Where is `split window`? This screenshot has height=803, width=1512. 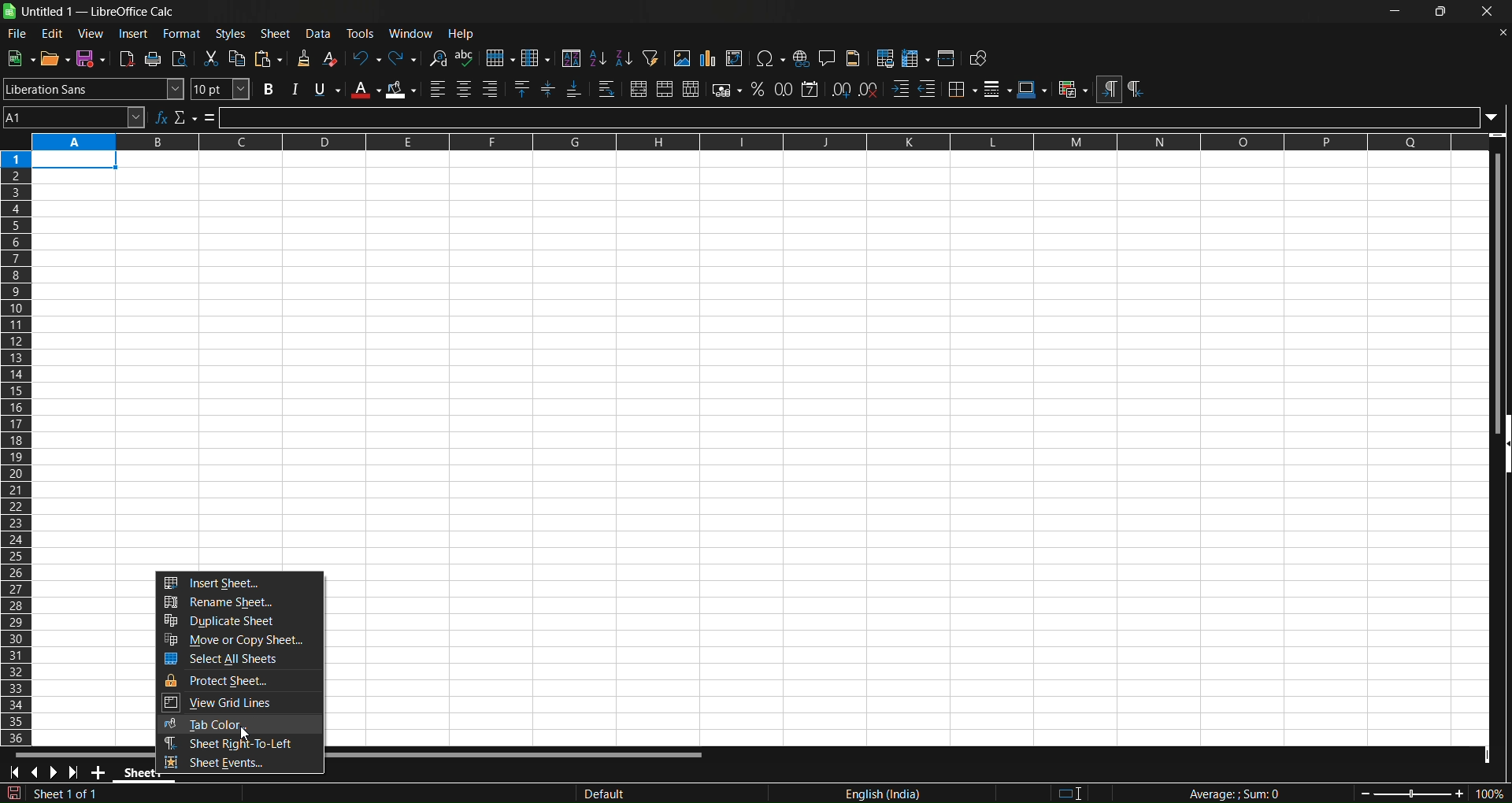
split window is located at coordinates (948, 58).